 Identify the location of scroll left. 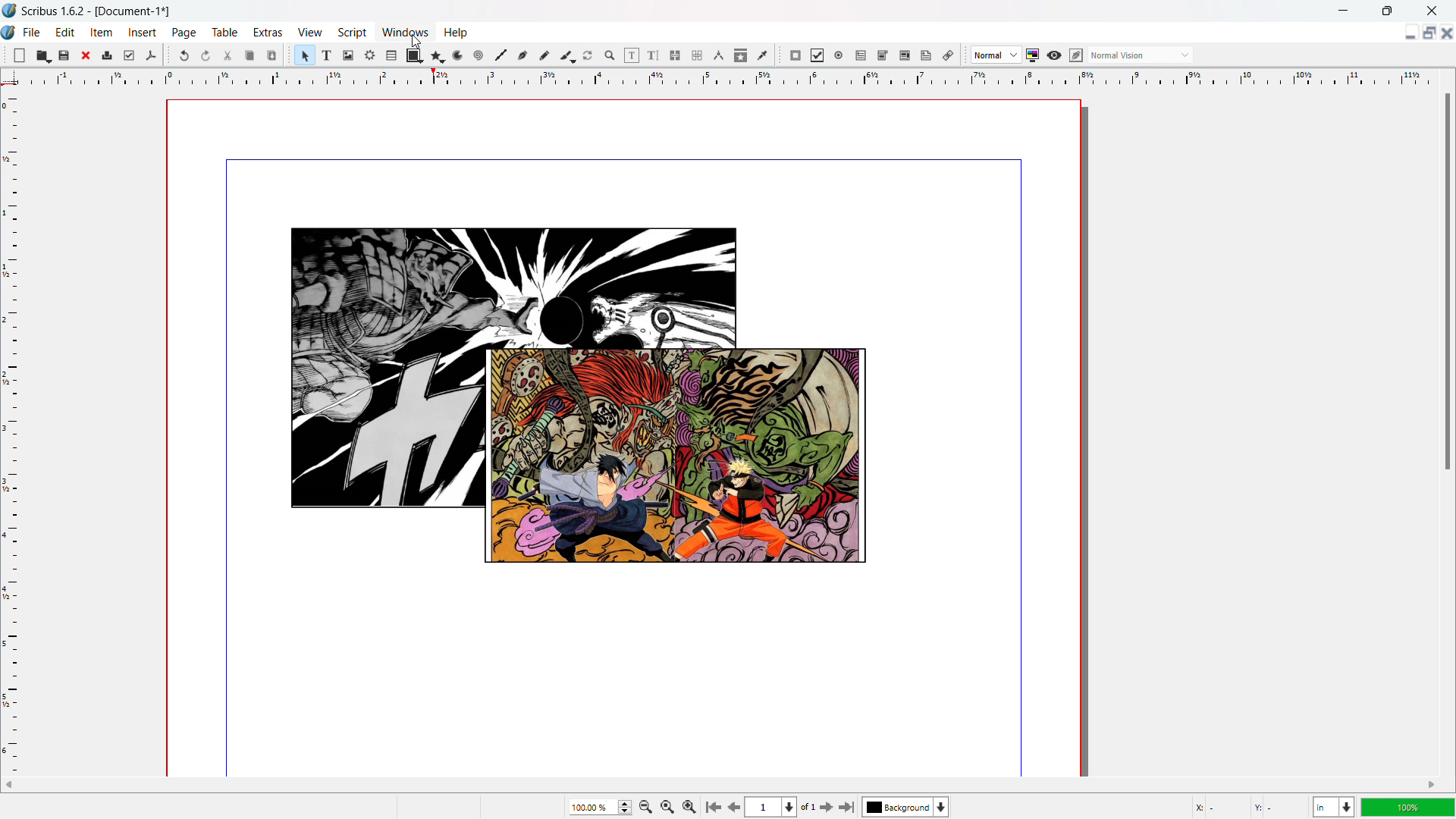
(10, 784).